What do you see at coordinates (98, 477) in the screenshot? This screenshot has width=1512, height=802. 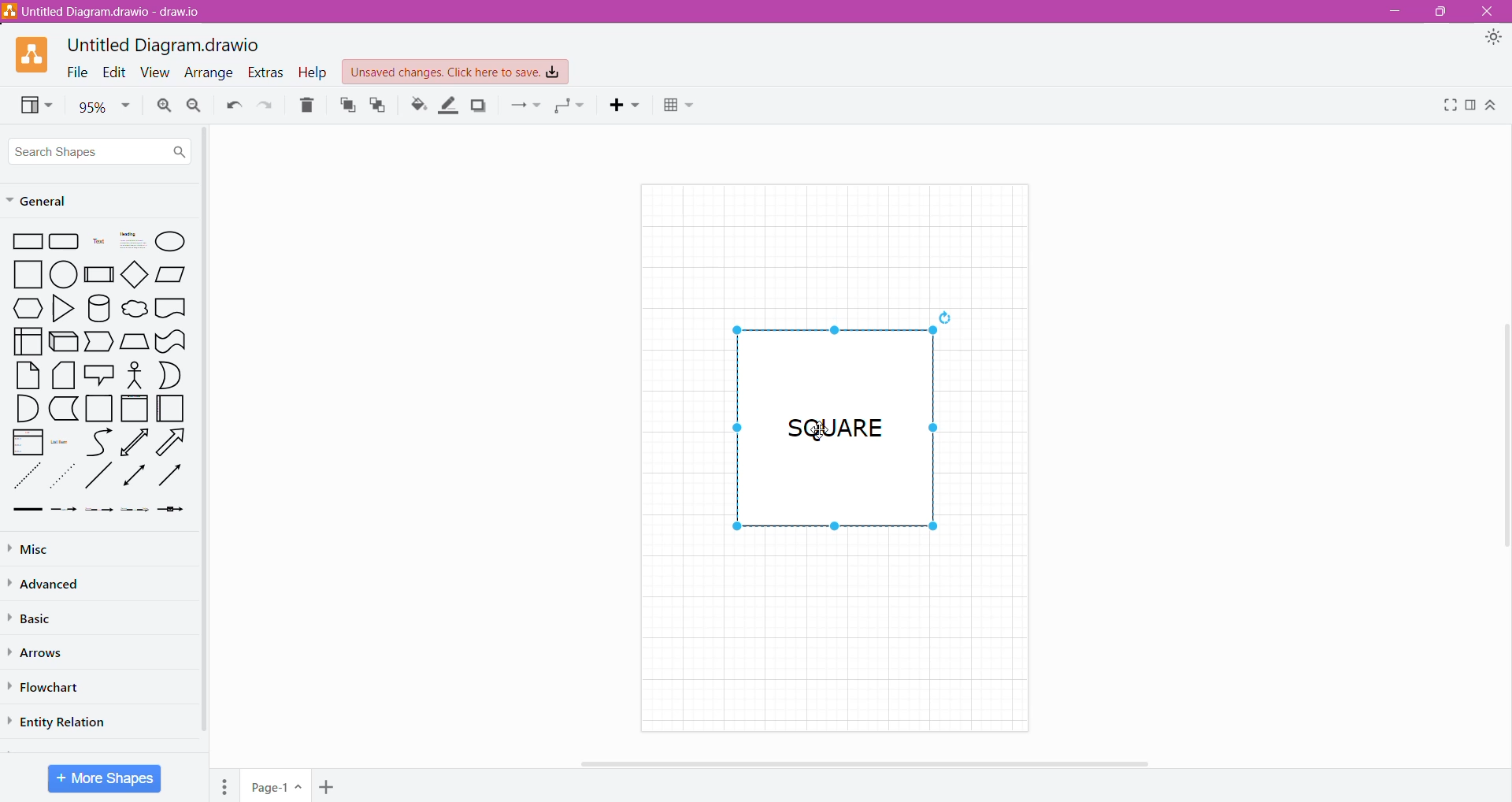 I see `diagonal line` at bounding box center [98, 477].